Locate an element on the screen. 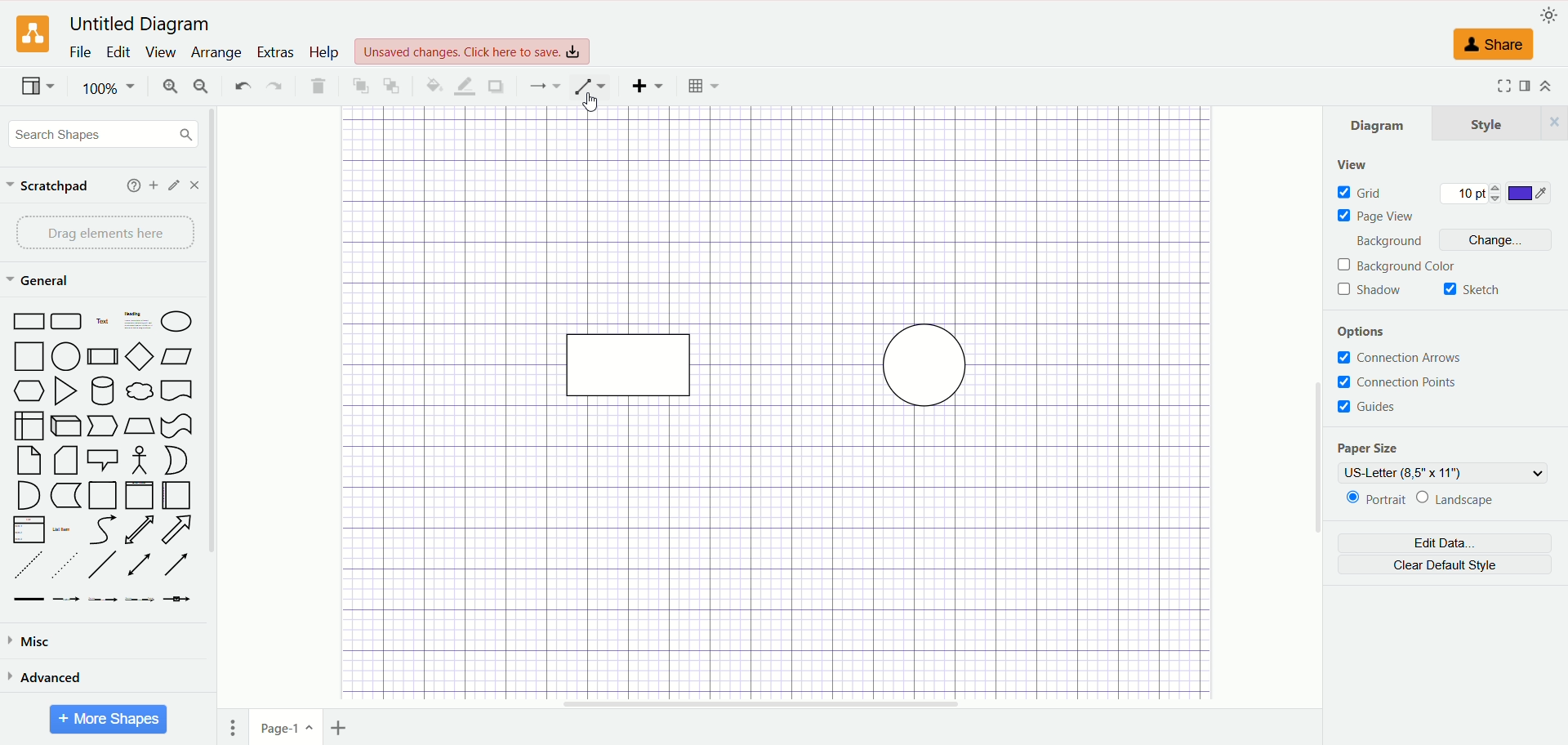  edit data is located at coordinates (1447, 542).